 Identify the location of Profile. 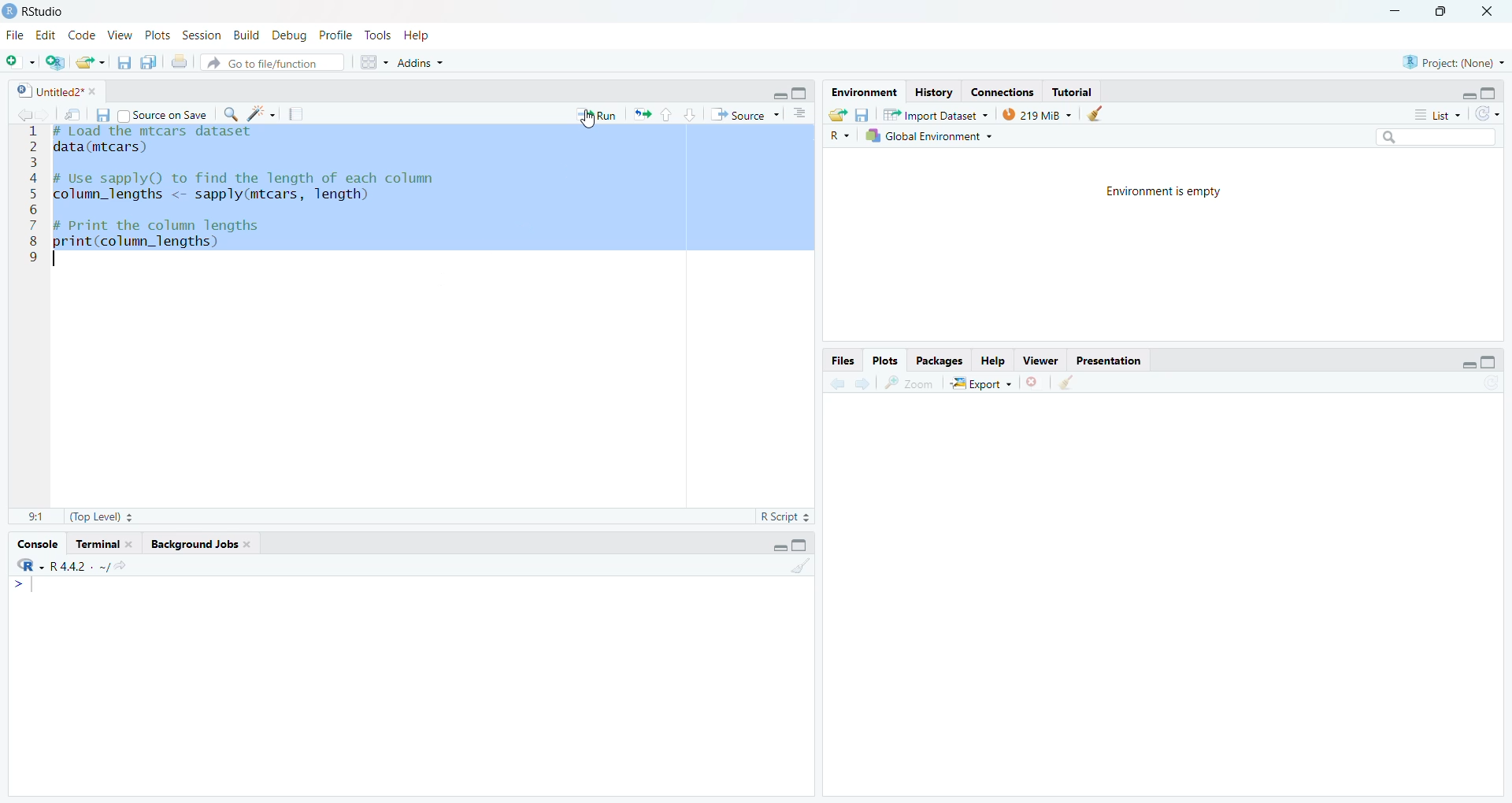
(337, 35).